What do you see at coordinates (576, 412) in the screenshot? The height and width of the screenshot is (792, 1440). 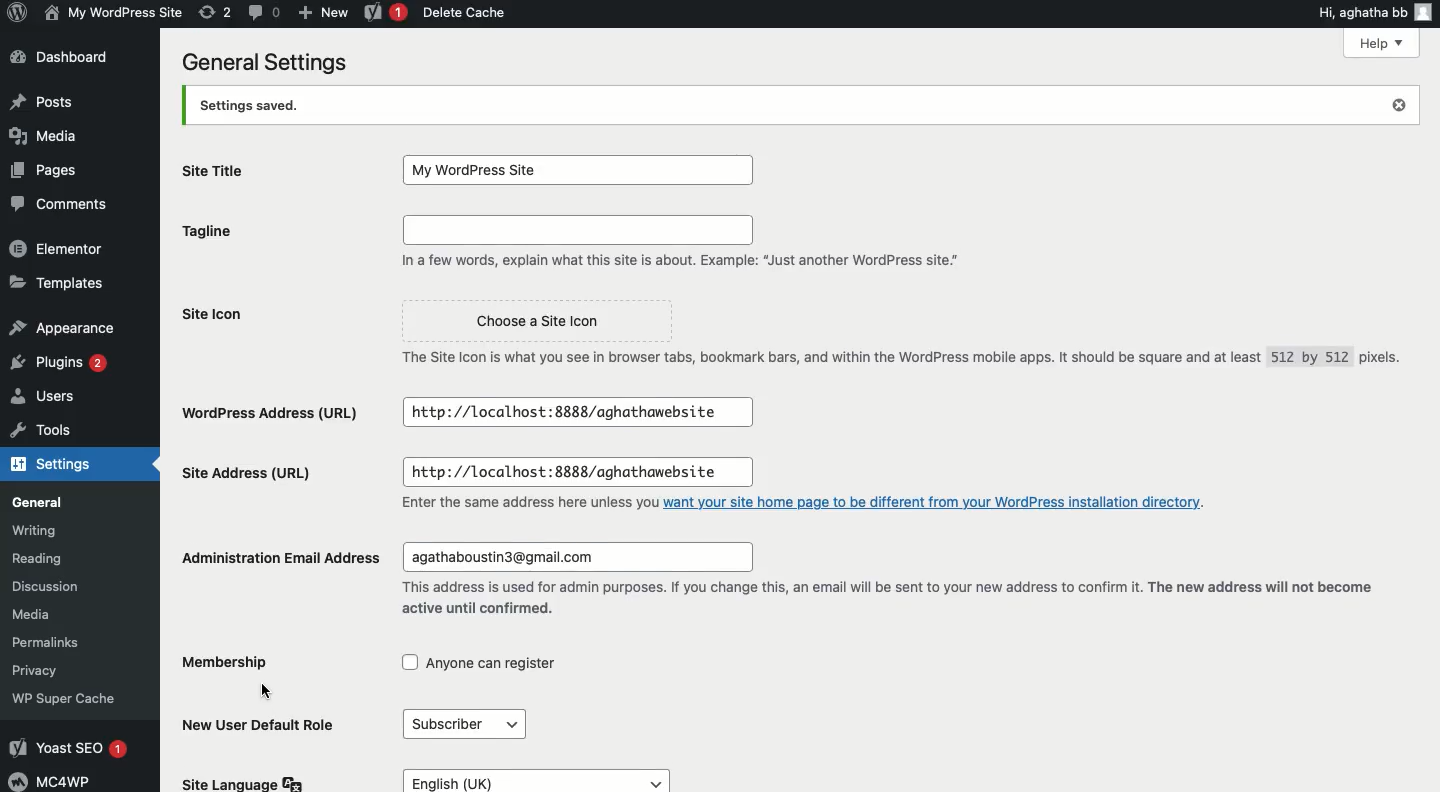 I see `http://localhost:8888/aghathawebsite` at bounding box center [576, 412].